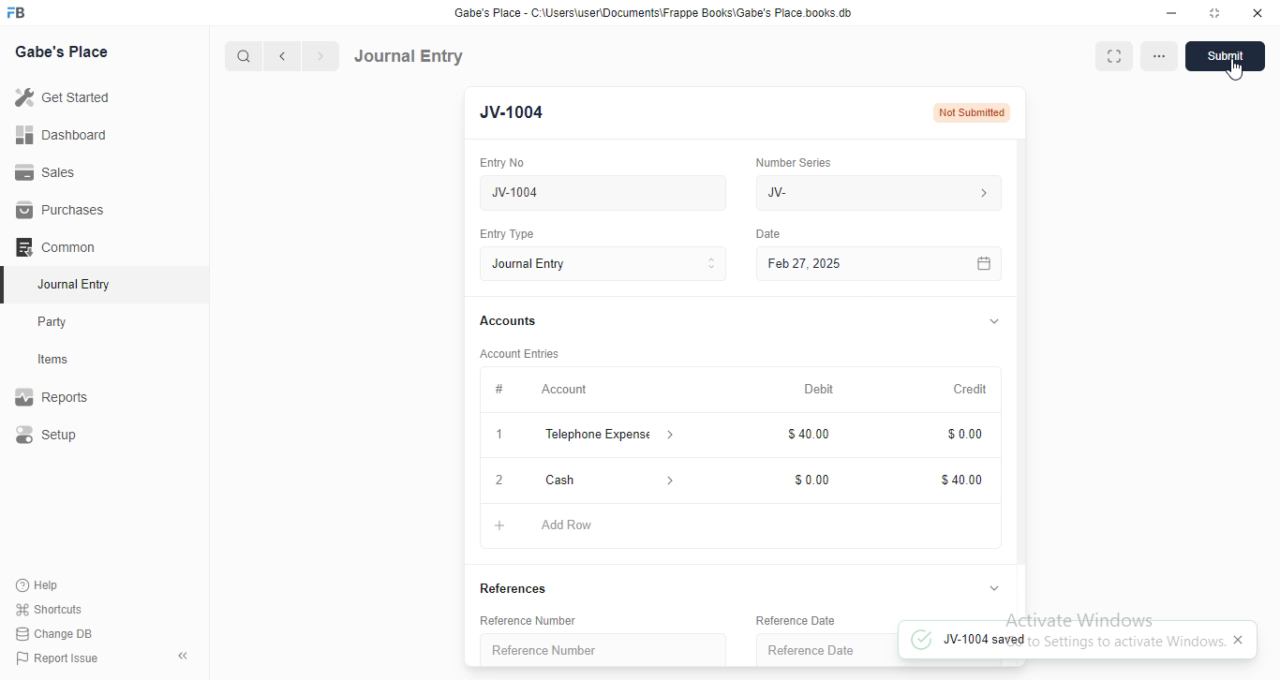 Image resolution: width=1280 pixels, height=680 pixels. I want to click on 0.00, so click(958, 436).